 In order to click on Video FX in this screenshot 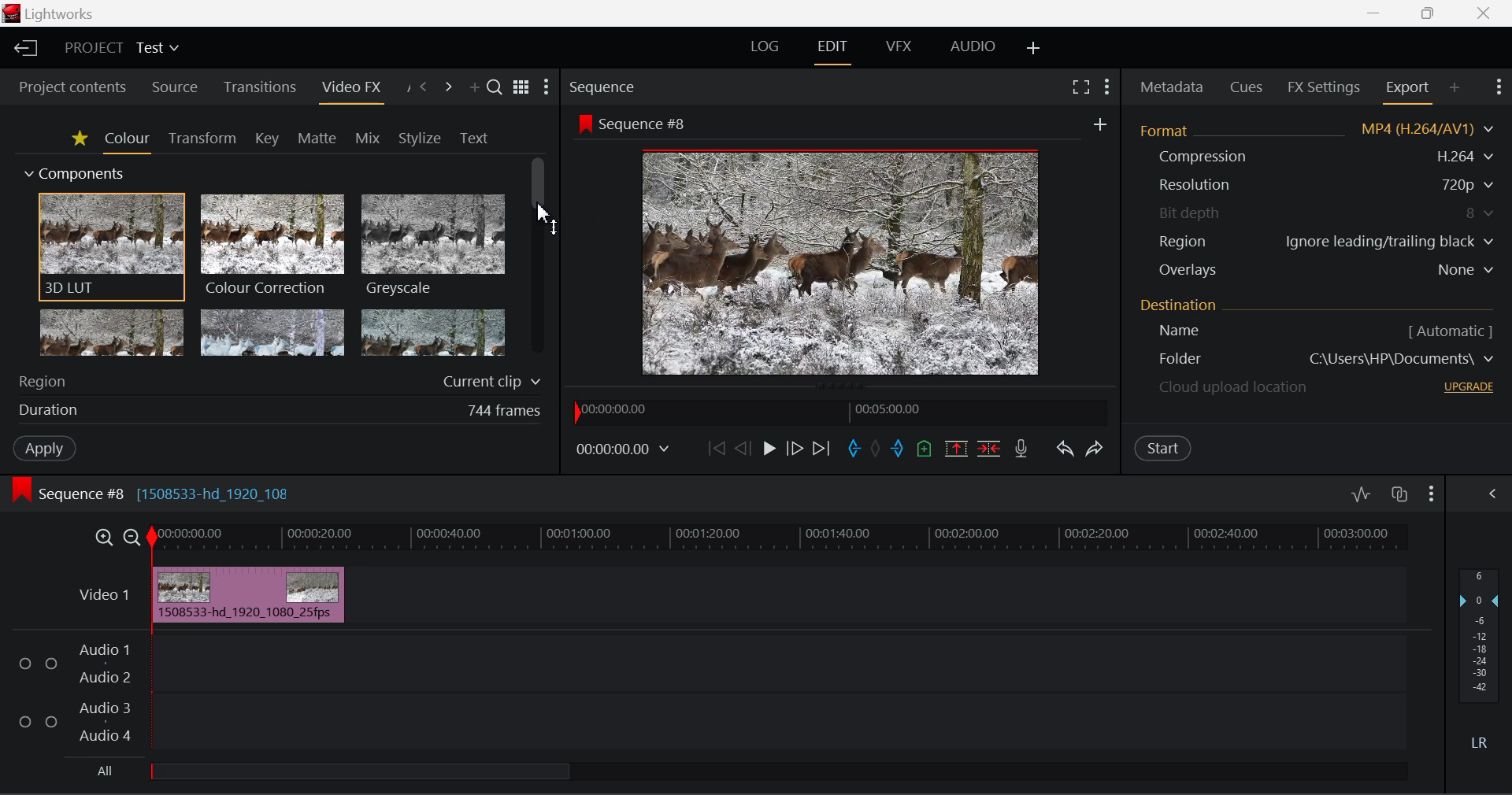, I will do `click(350, 92)`.